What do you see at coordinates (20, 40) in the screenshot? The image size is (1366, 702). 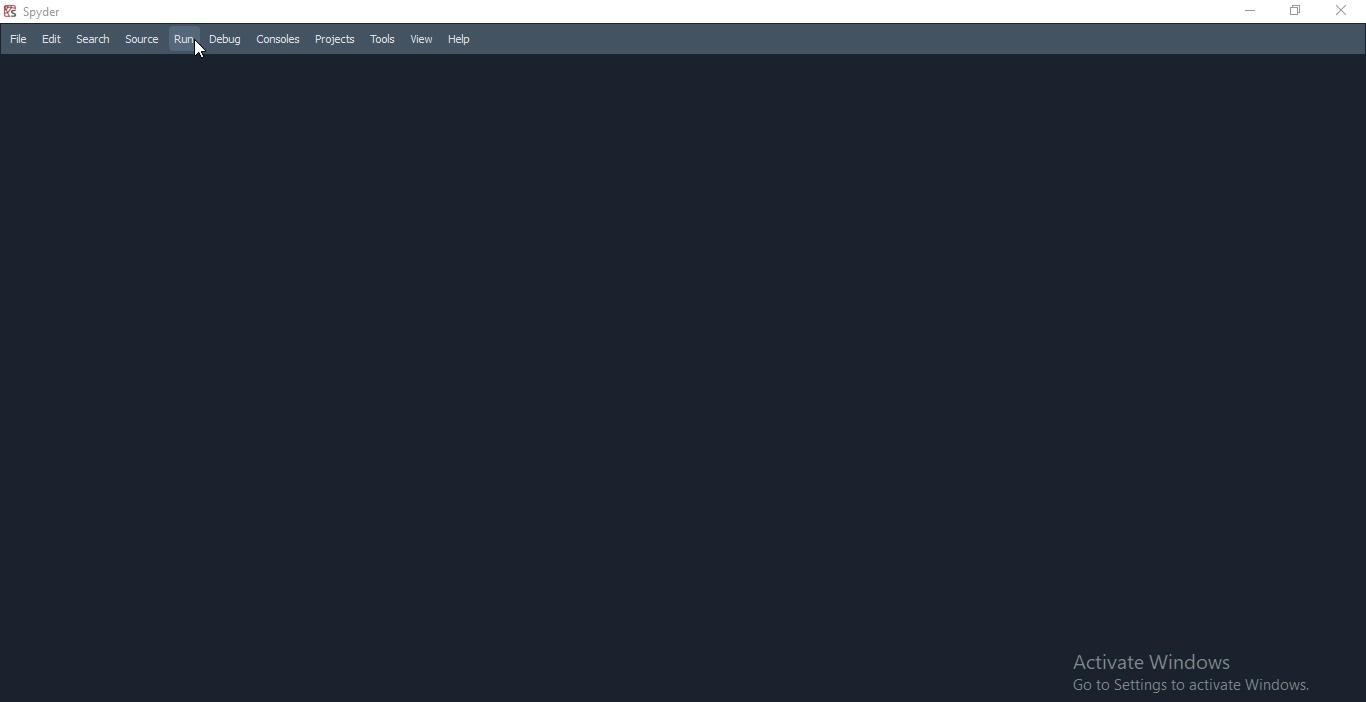 I see `File ` at bounding box center [20, 40].